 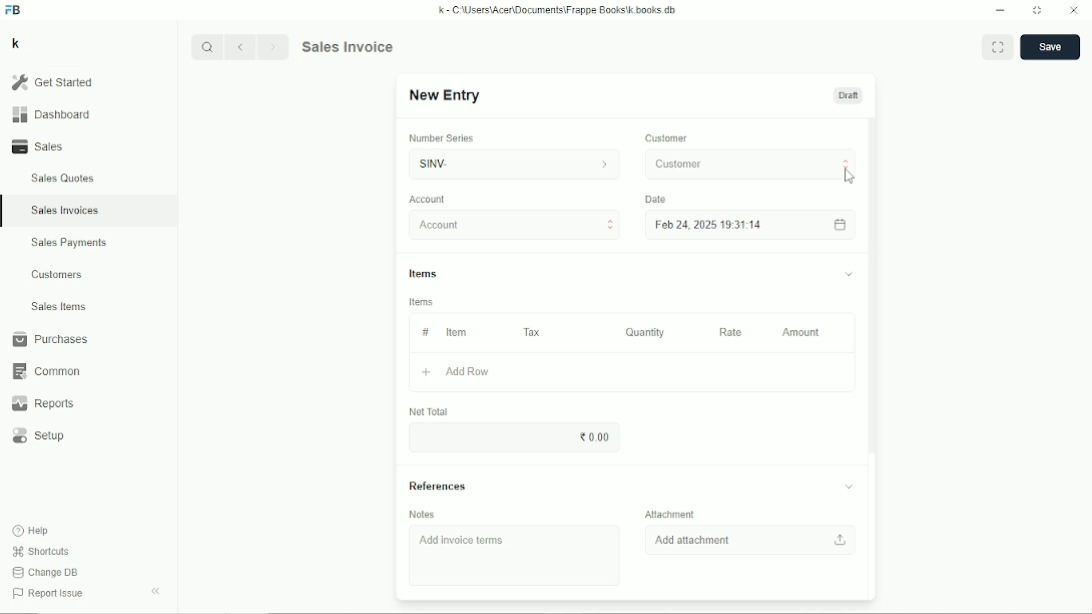 What do you see at coordinates (15, 43) in the screenshot?
I see `k` at bounding box center [15, 43].